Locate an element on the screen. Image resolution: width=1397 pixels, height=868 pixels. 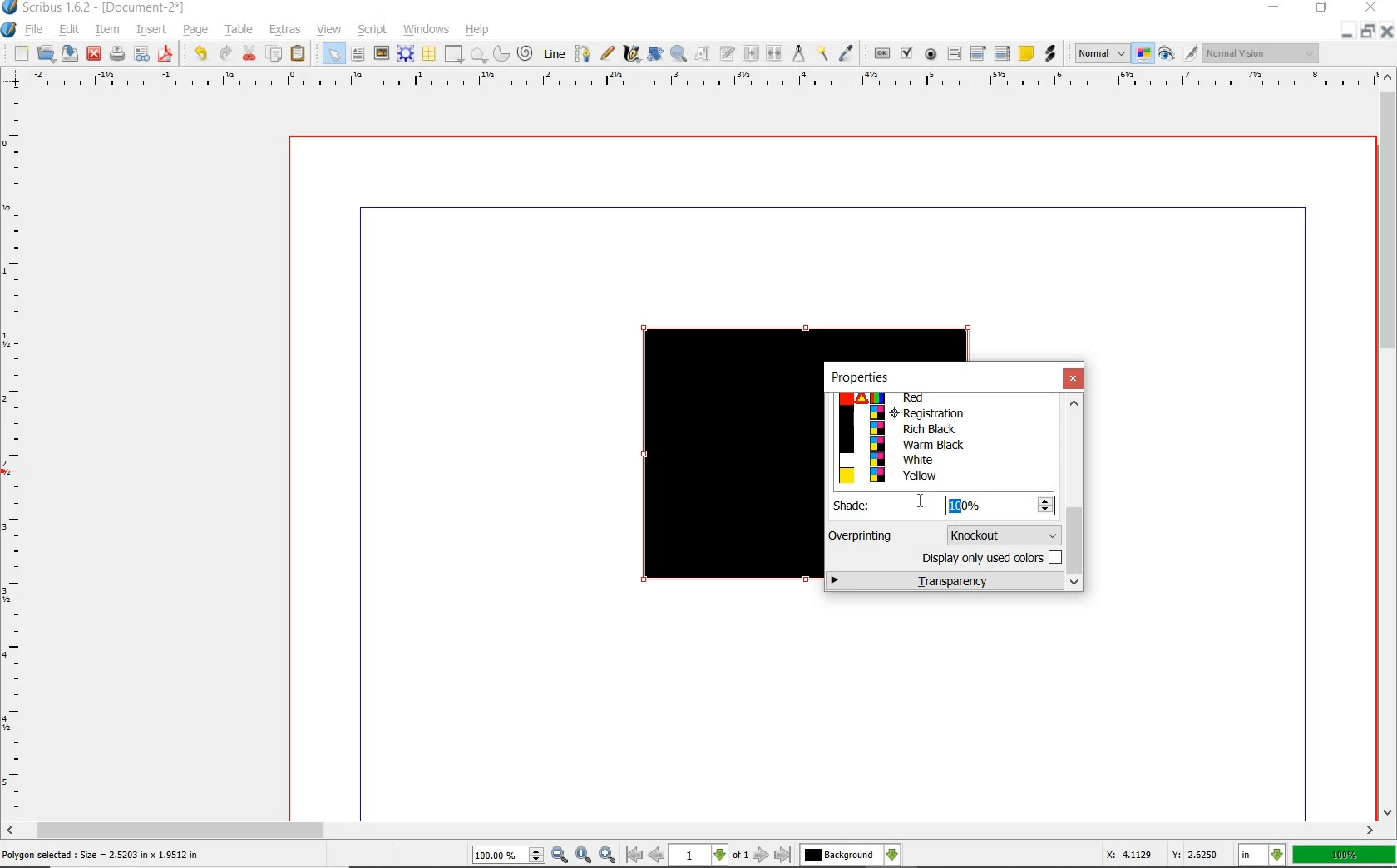
eye dropper is located at coordinates (848, 52).